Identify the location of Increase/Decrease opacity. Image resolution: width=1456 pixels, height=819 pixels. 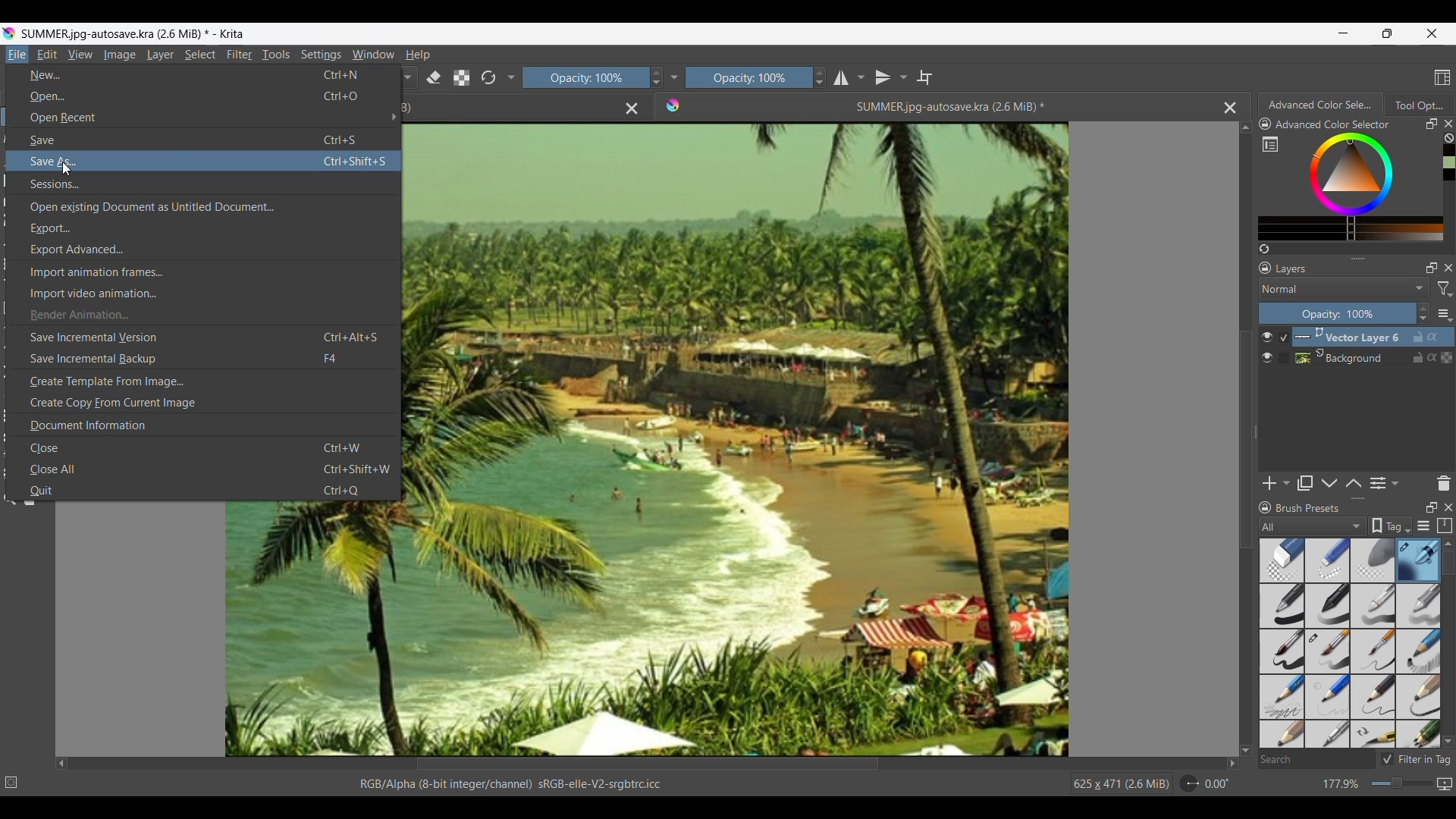
(820, 76).